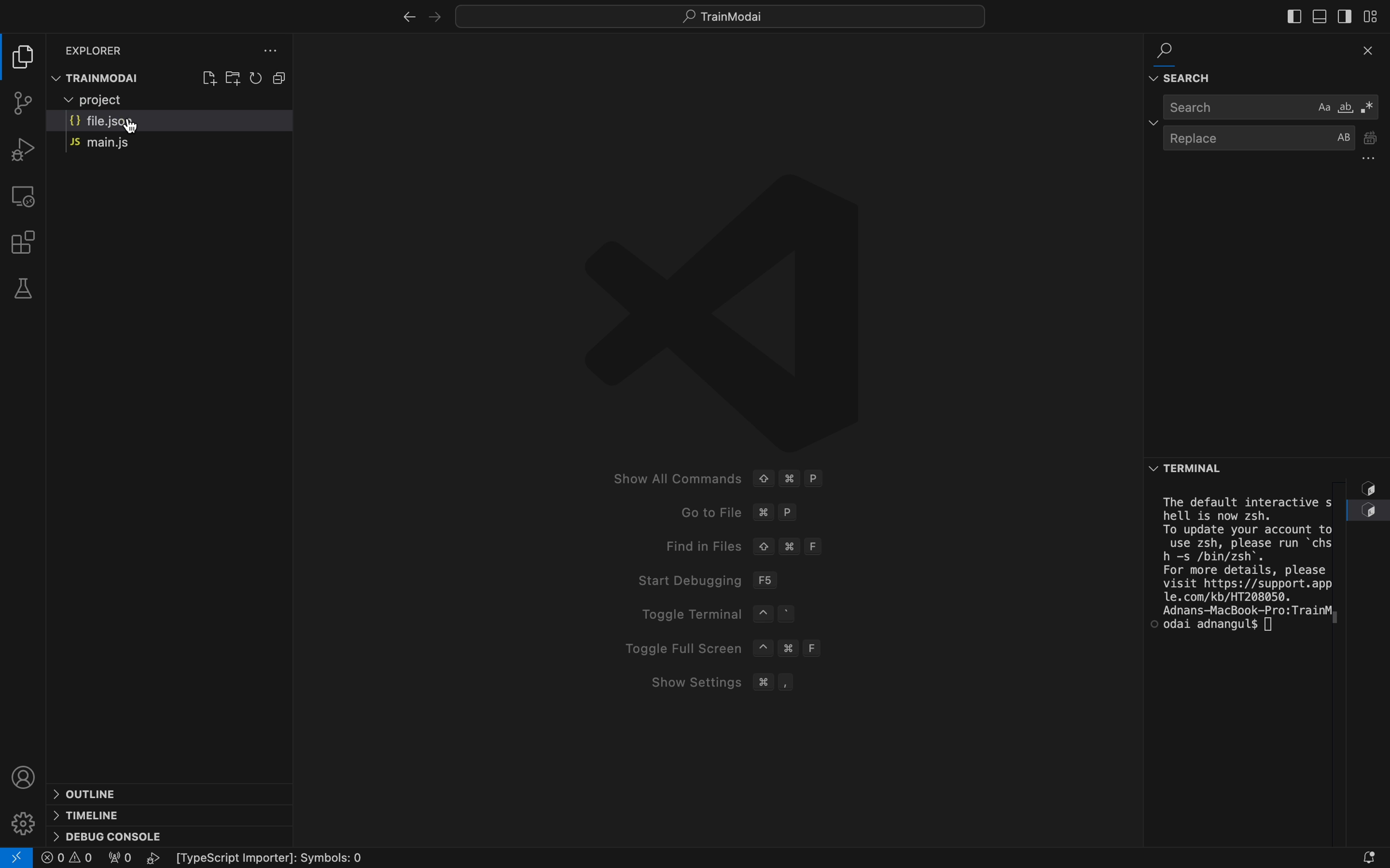 The width and height of the screenshot is (1390, 868). Describe the element at coordinates (140, 145) in the screenshot. I see `main.js` at that location.